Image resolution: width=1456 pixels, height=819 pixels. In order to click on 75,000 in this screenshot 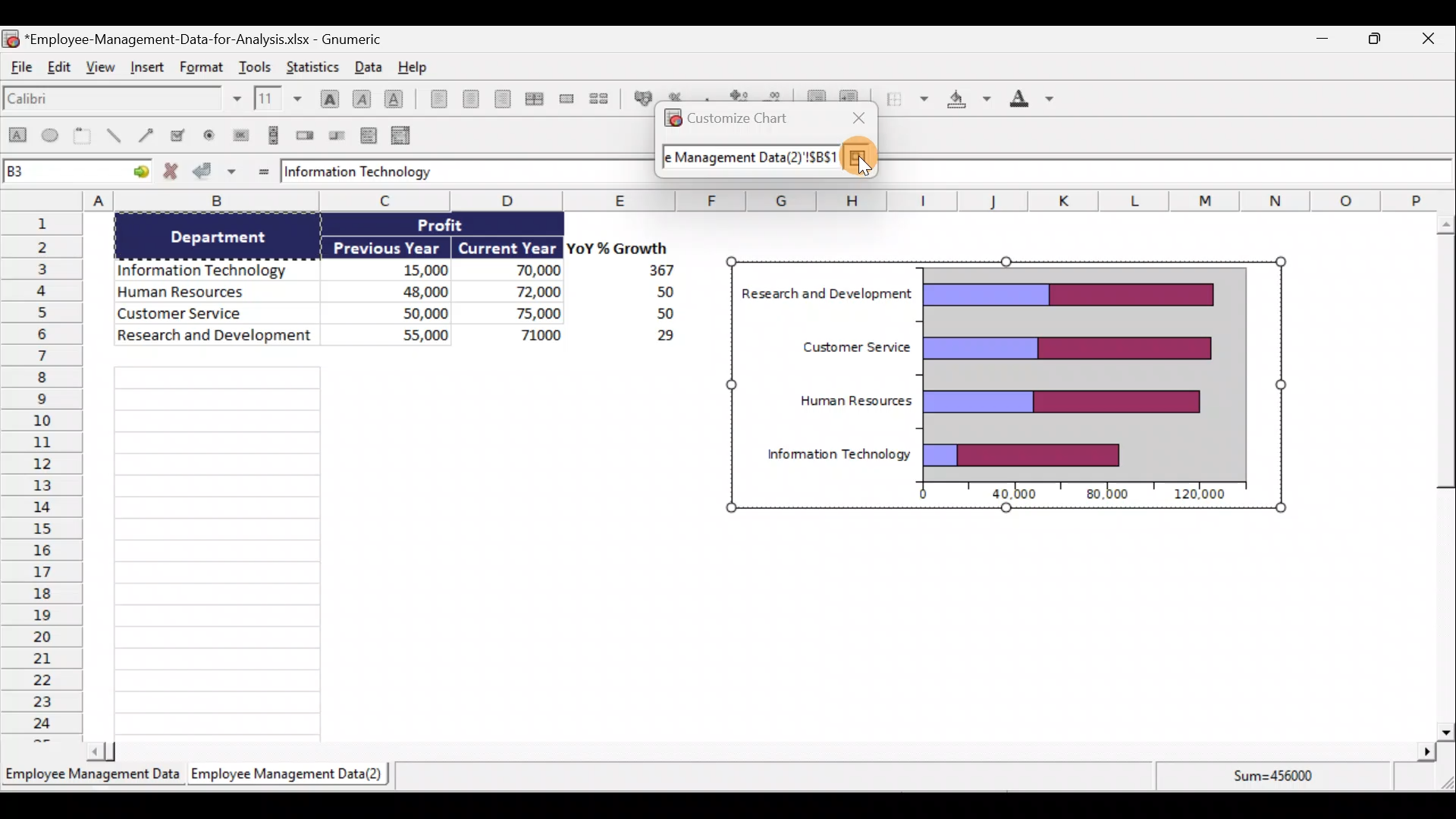, I will do `click(525, 314)`.